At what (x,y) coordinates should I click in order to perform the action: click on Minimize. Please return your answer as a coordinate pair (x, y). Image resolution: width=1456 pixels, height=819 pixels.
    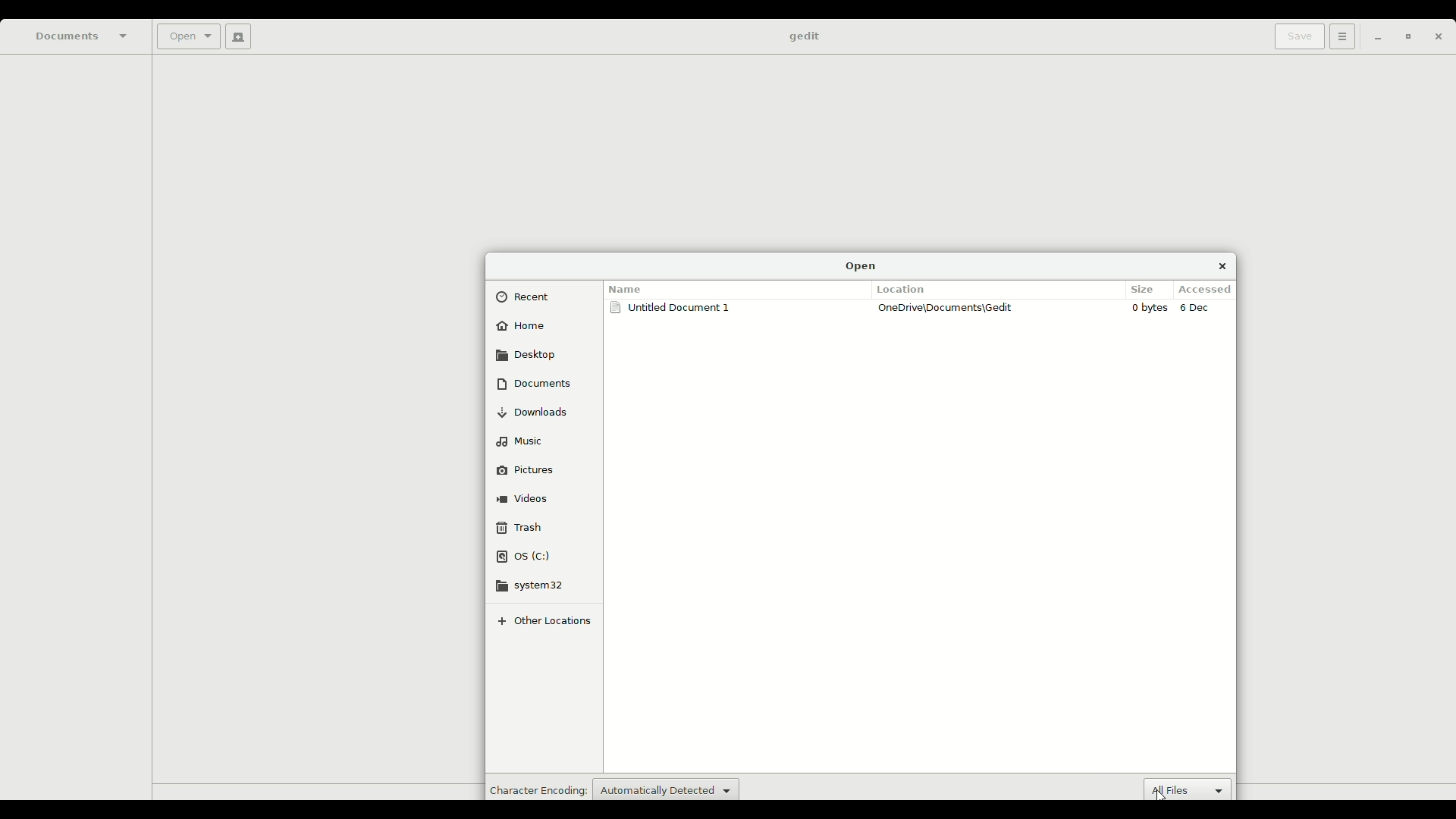
    Looking at the image, I should click on (1373, 38).